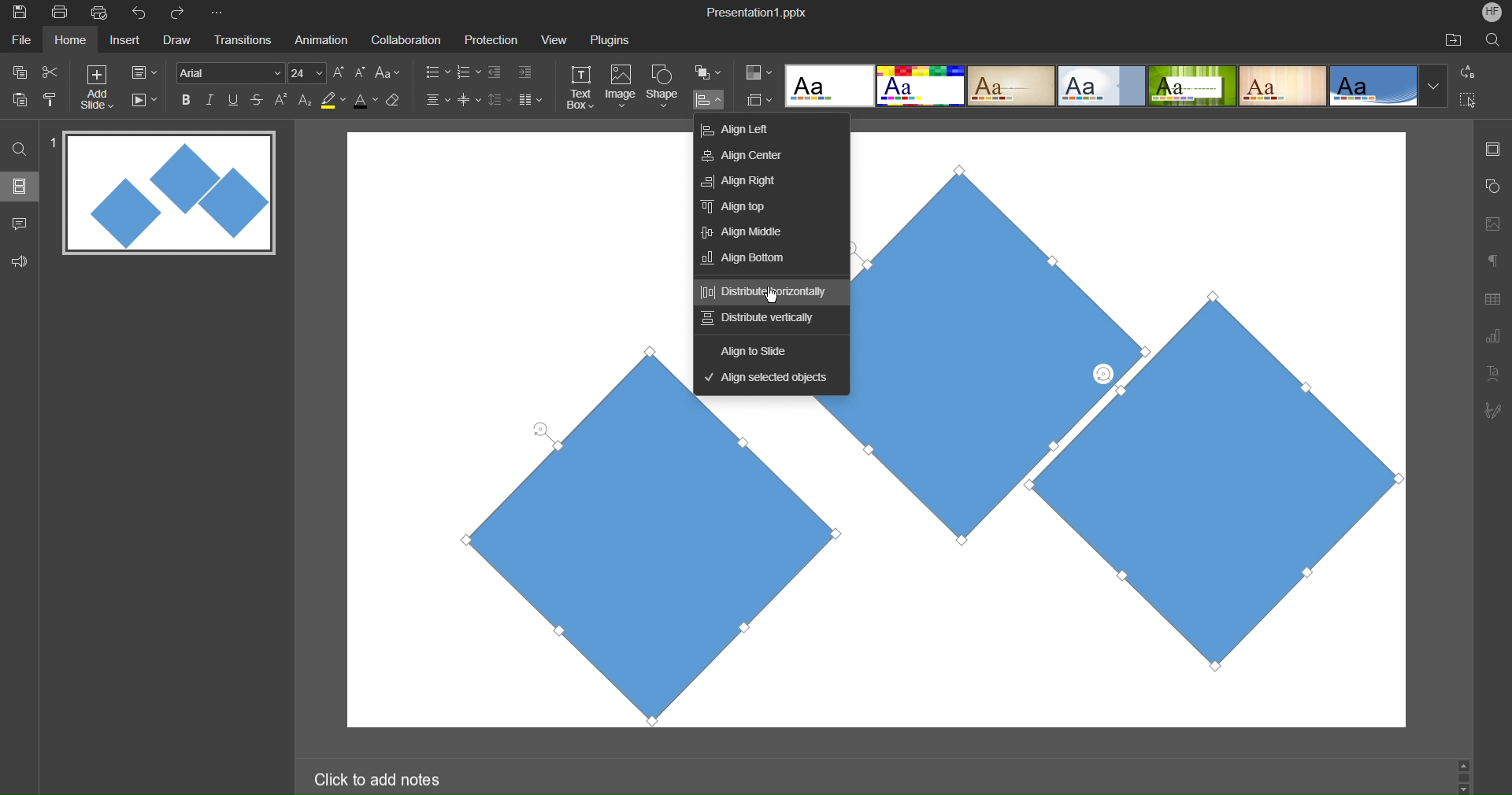 This screenshot has height=795, width=1512. Describe the element at coordinates (19, 185) in the screenshot. I see `View slides` at that location.